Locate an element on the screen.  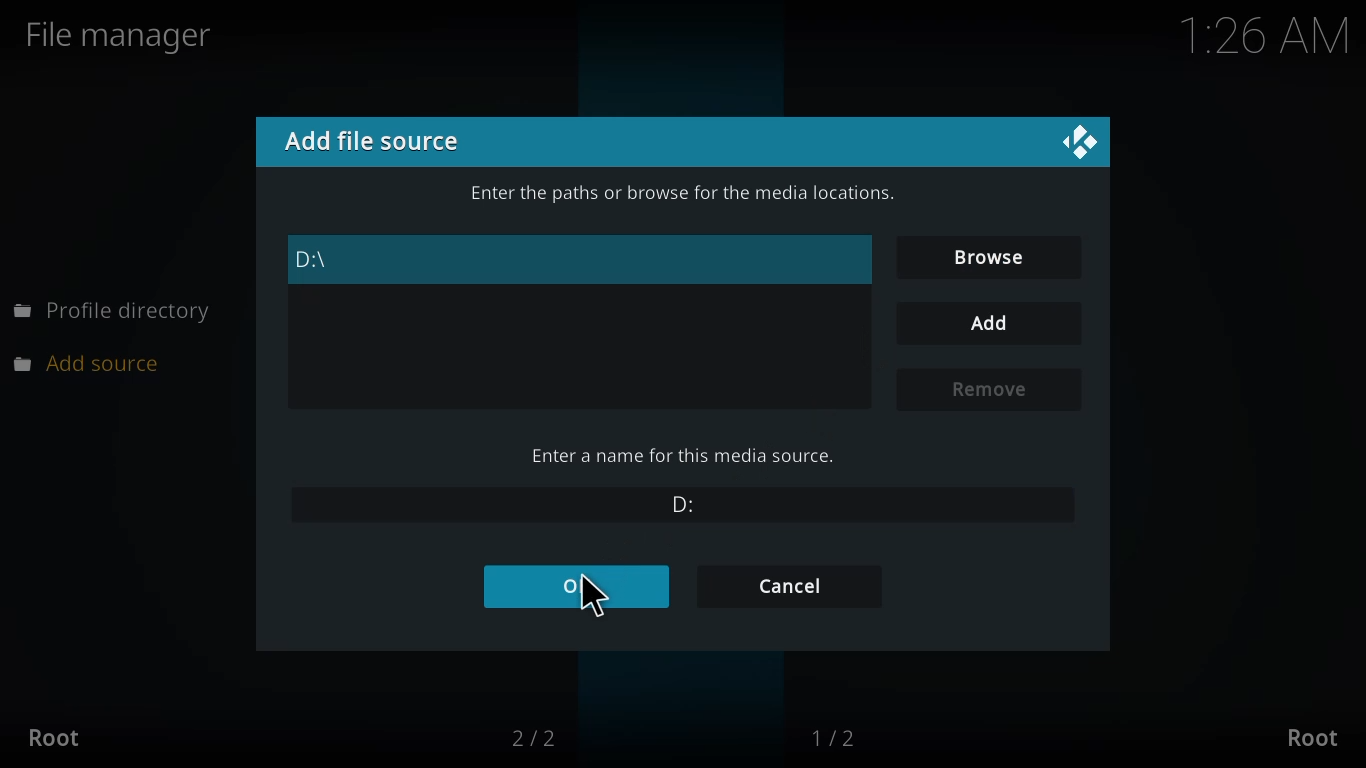
cursor is located at coordinates (600, 602).